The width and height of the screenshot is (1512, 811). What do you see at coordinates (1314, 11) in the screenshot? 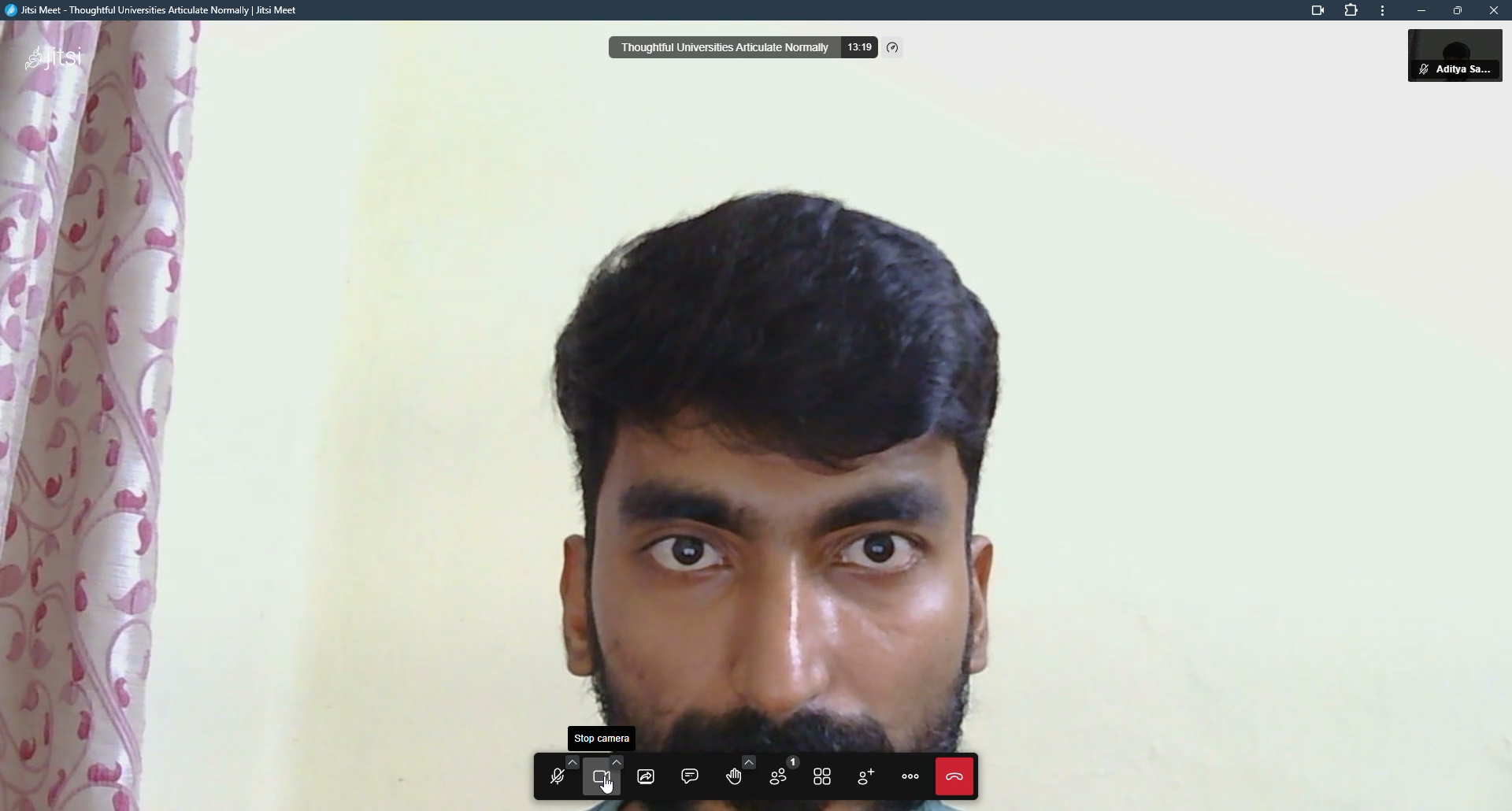
I see `this page is accessing microphone` at bounding box center [1314, 11].